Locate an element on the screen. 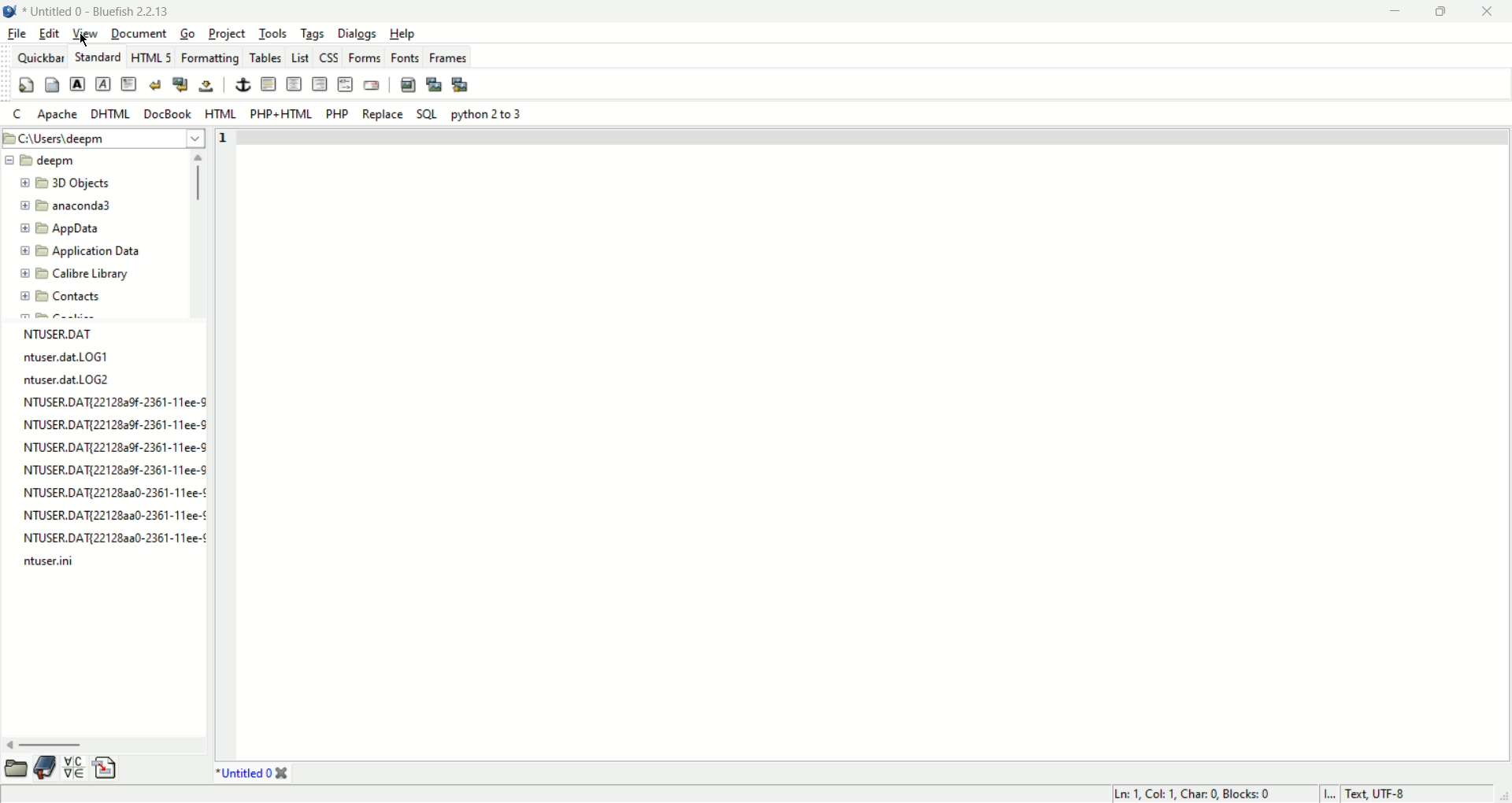  app is located at coordinates (68, 229).